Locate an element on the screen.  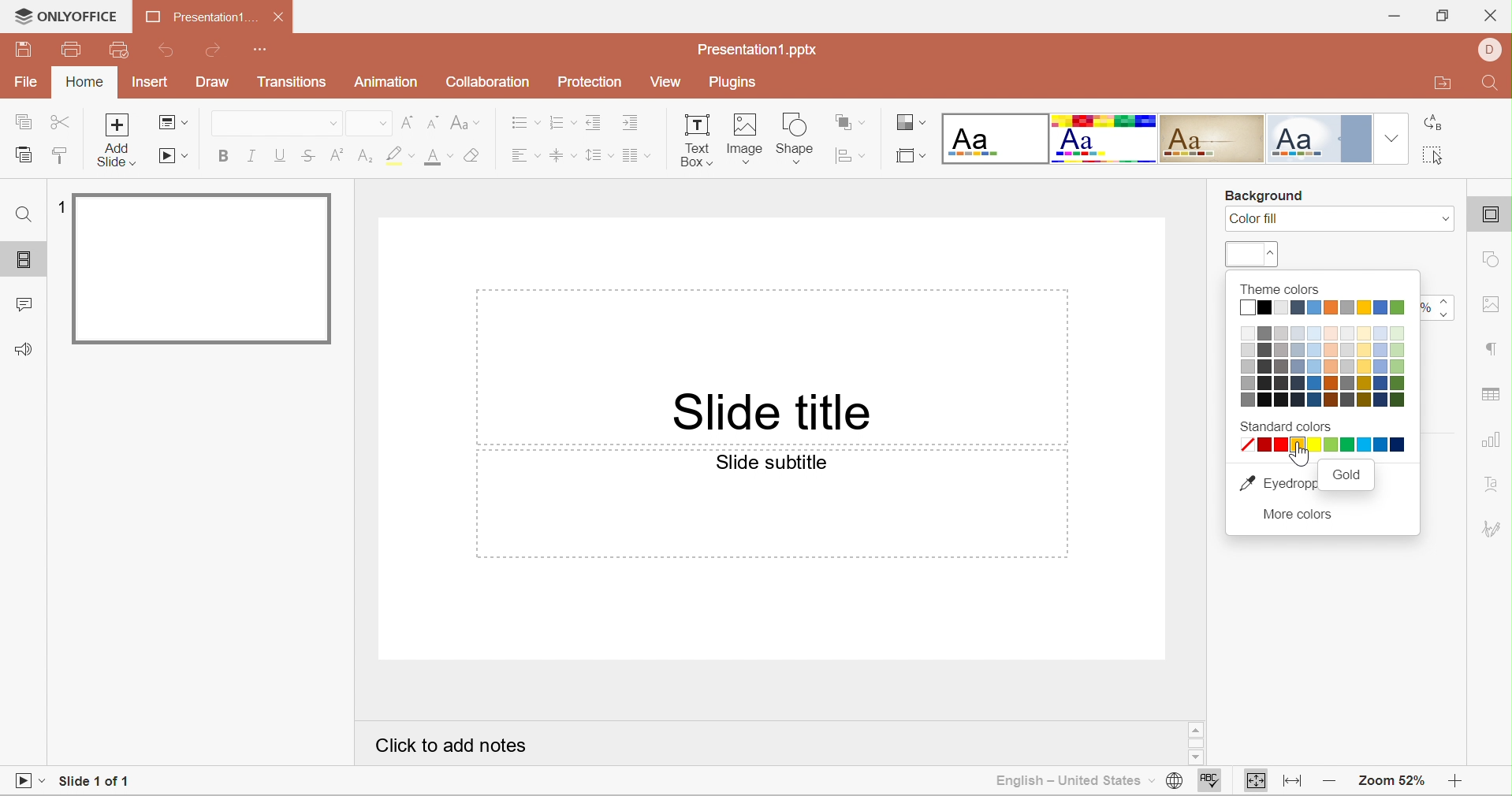
Change slide layout is located at coordinates (169, 121).